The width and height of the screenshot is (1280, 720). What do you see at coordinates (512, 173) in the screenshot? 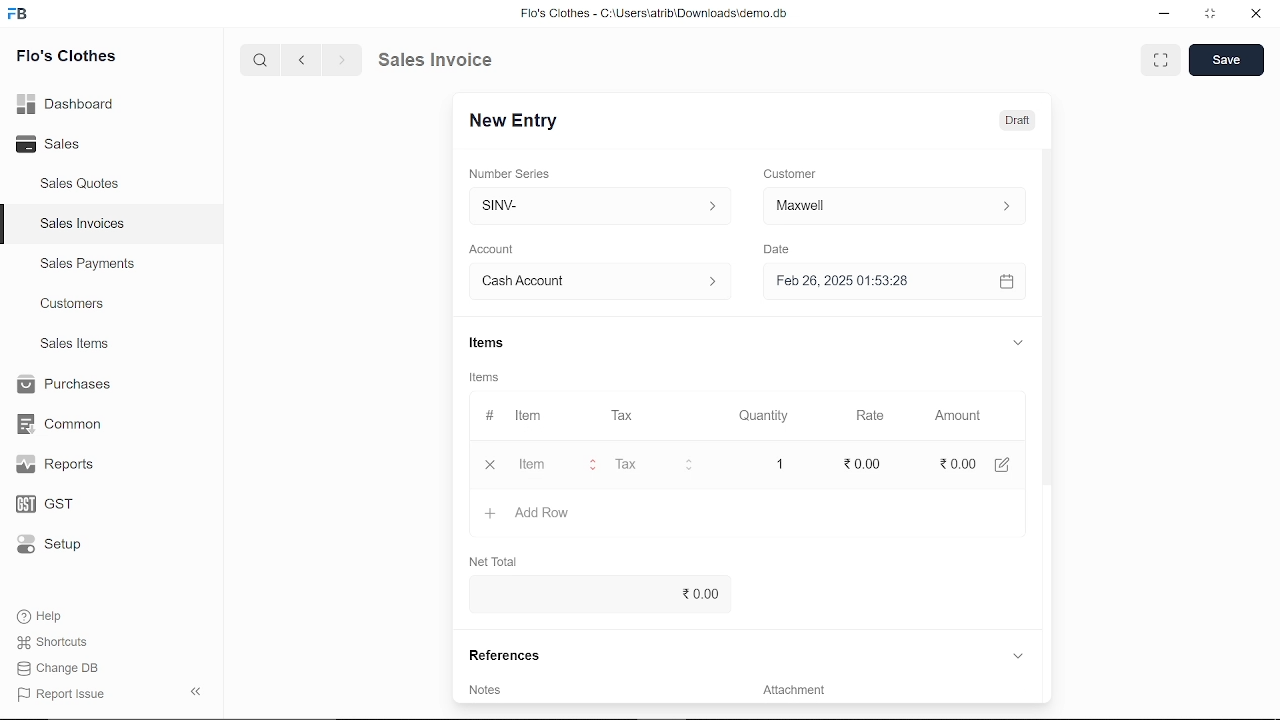
I see `Number Series` at bounding box center [512, 173].